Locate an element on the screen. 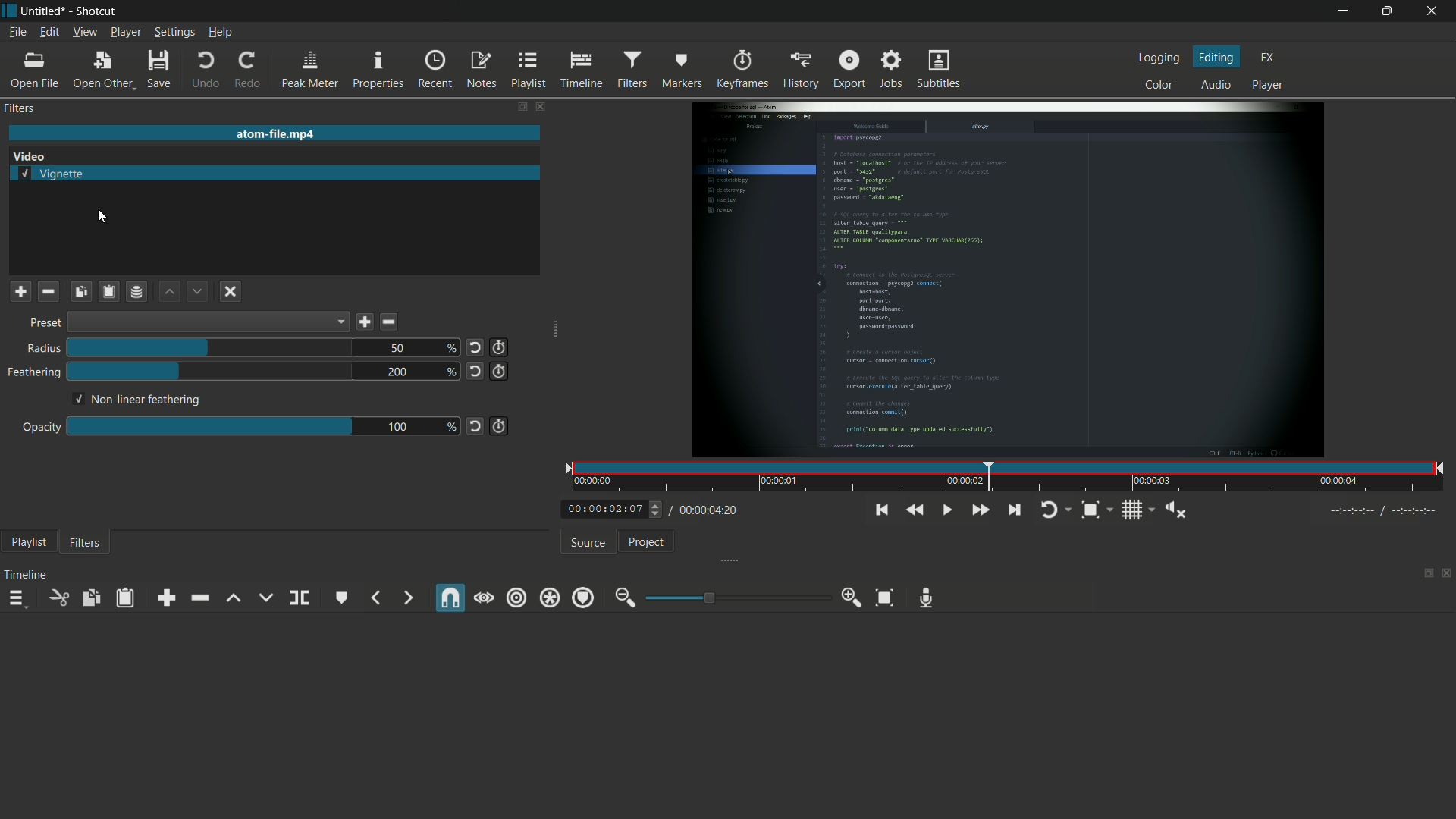 This screenshot has height=819, width=1456. next marker is located at coordinates (408, 599).